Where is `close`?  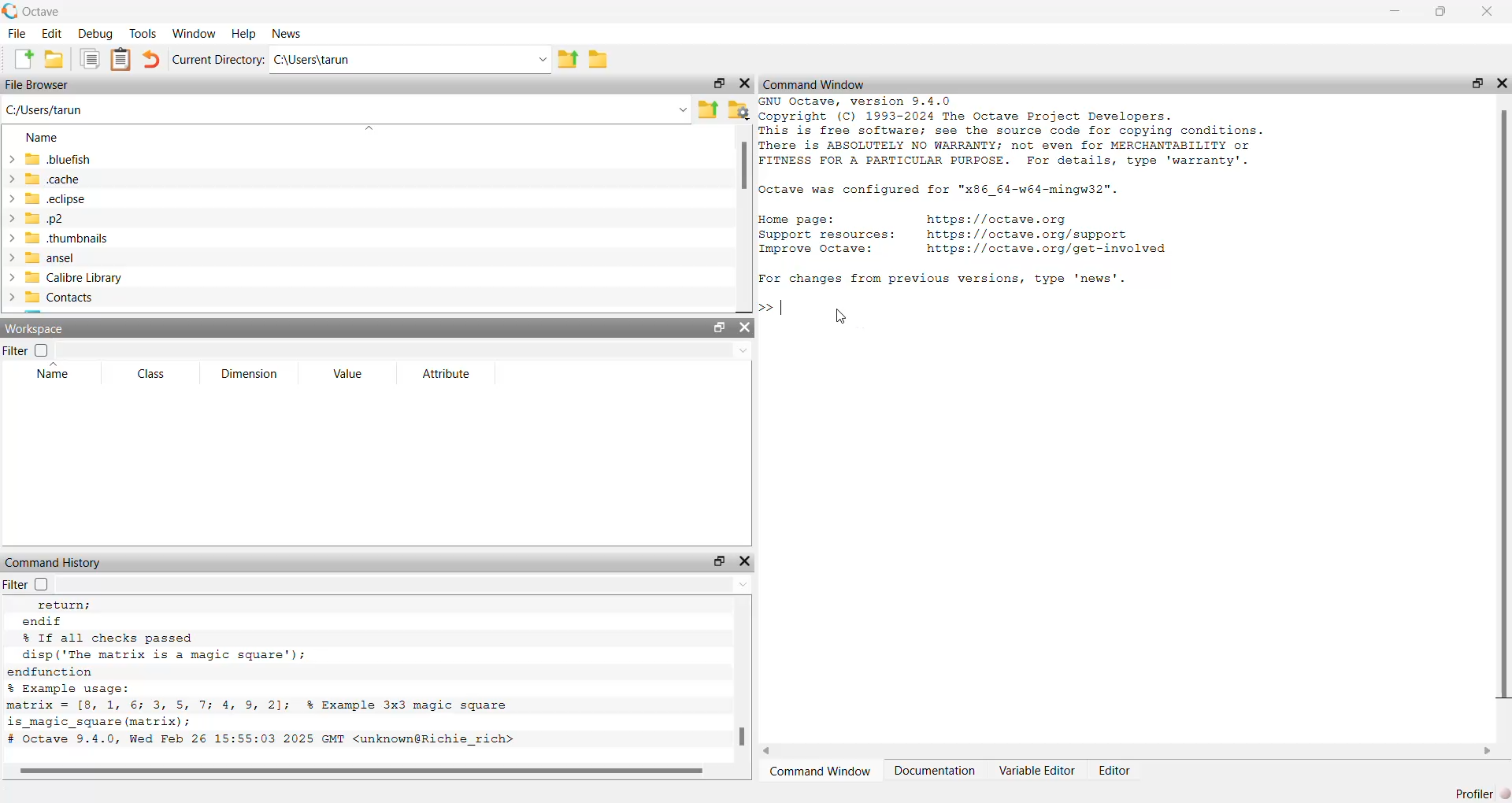
close is located at coordinates (747, 561).